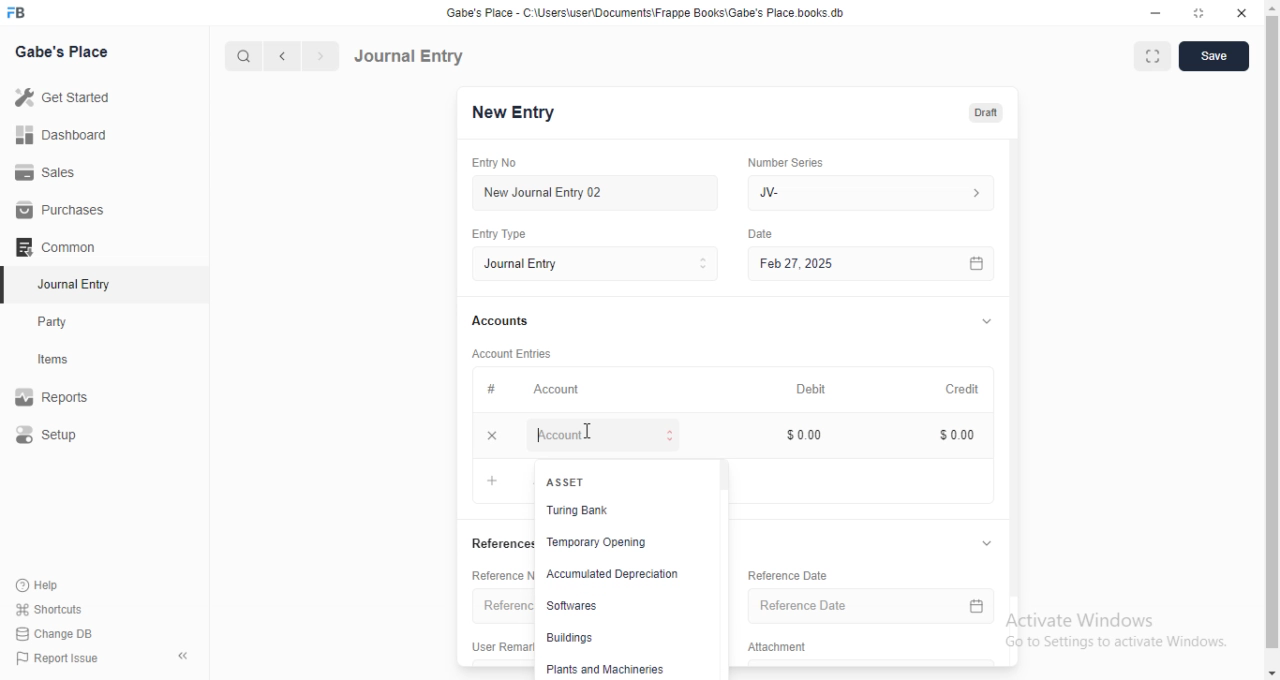 The width and height of the screenshot is (1280, 680). I want to click on FB, so click(19, 11).